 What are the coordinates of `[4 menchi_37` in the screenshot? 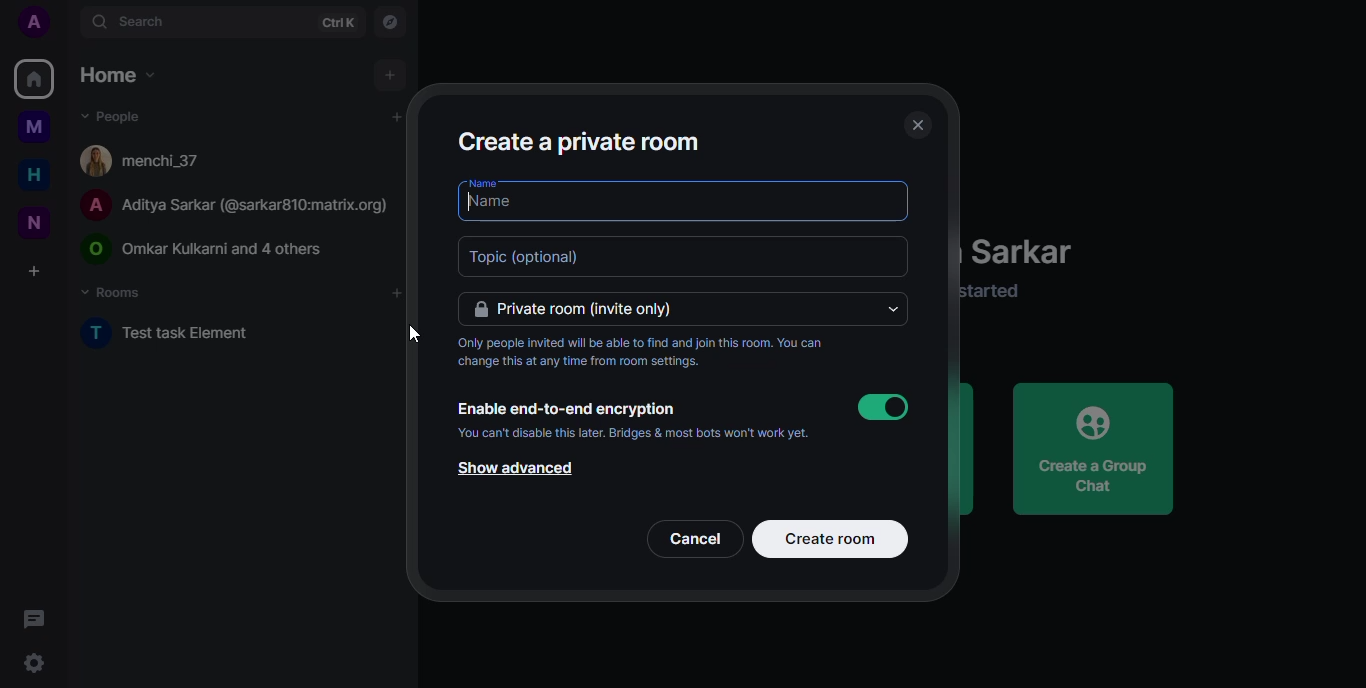 It's located at (146, 159).